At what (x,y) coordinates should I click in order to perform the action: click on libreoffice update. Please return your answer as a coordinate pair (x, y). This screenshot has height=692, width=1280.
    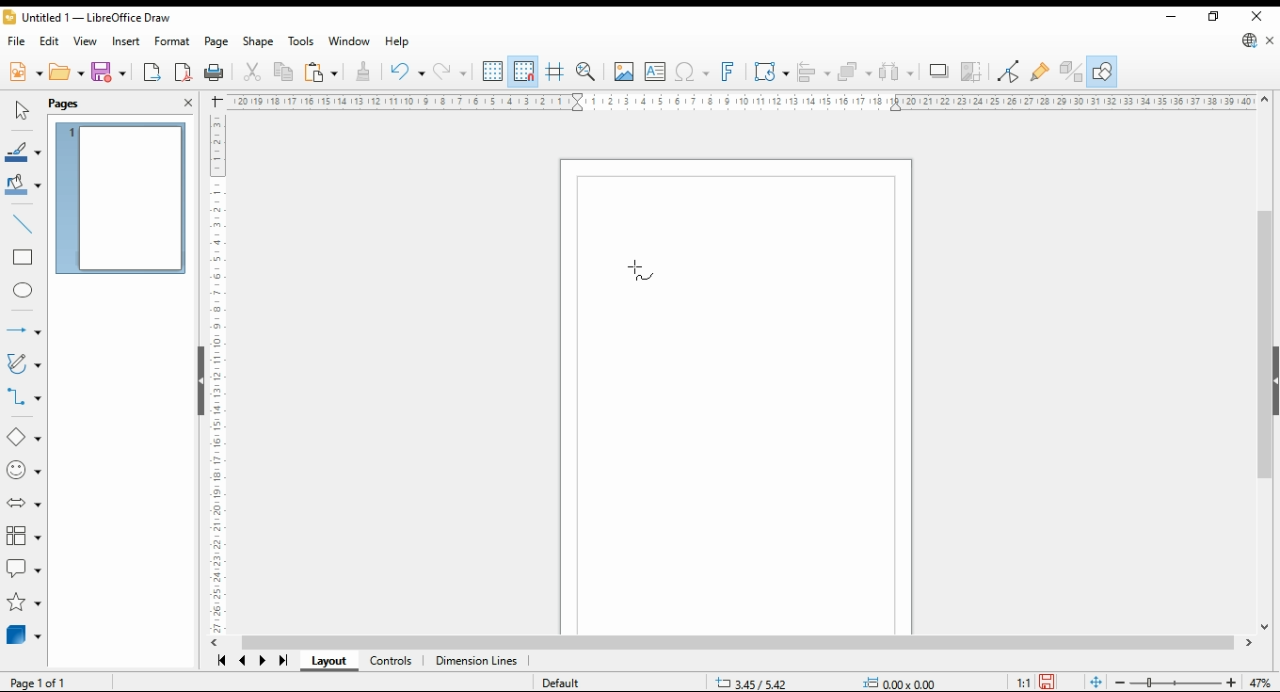
    Looking at the image, I should click on (1250, 40).